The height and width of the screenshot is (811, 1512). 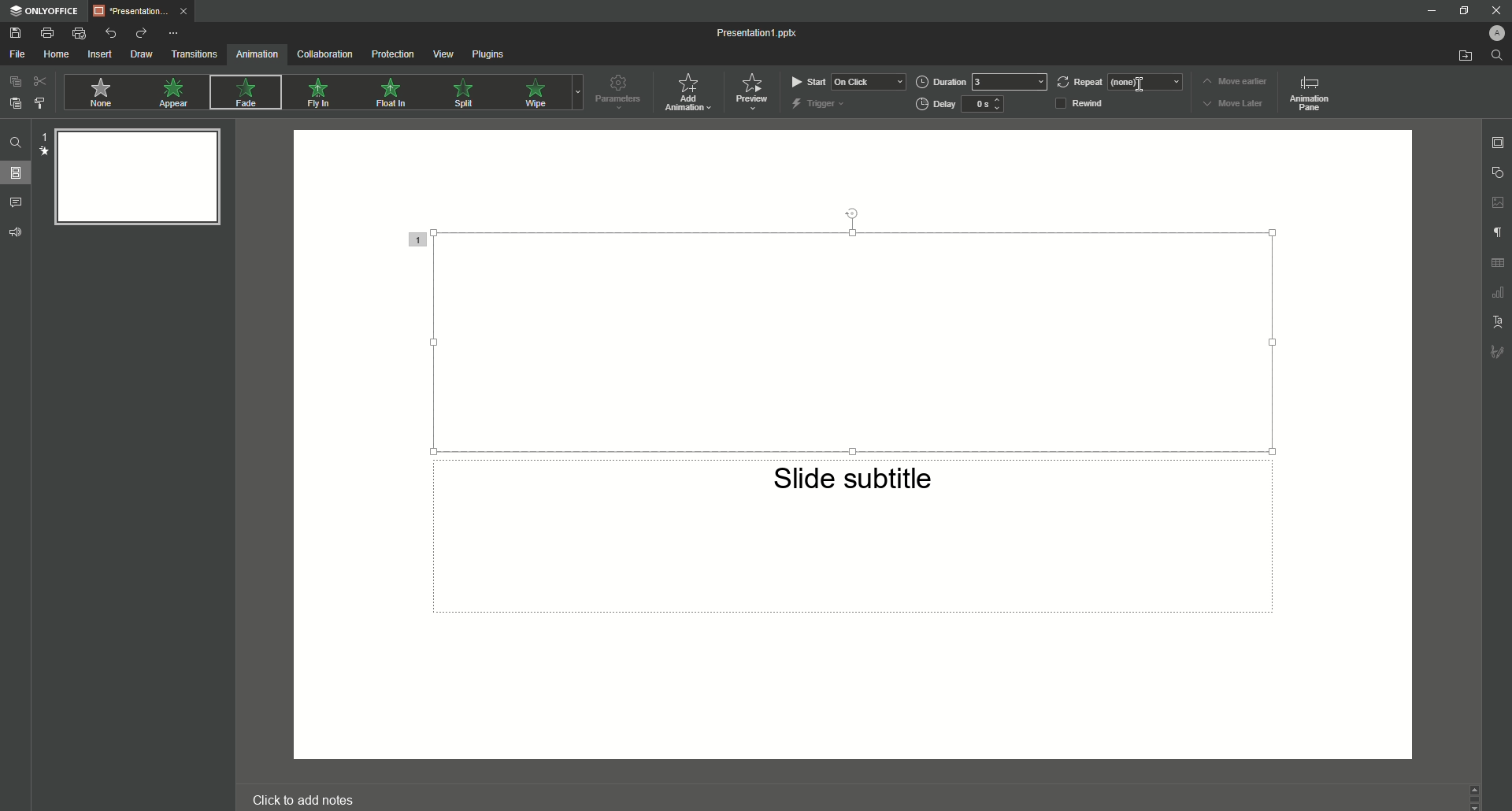 I want to click on Add Animation, so click(x=691, y=94).